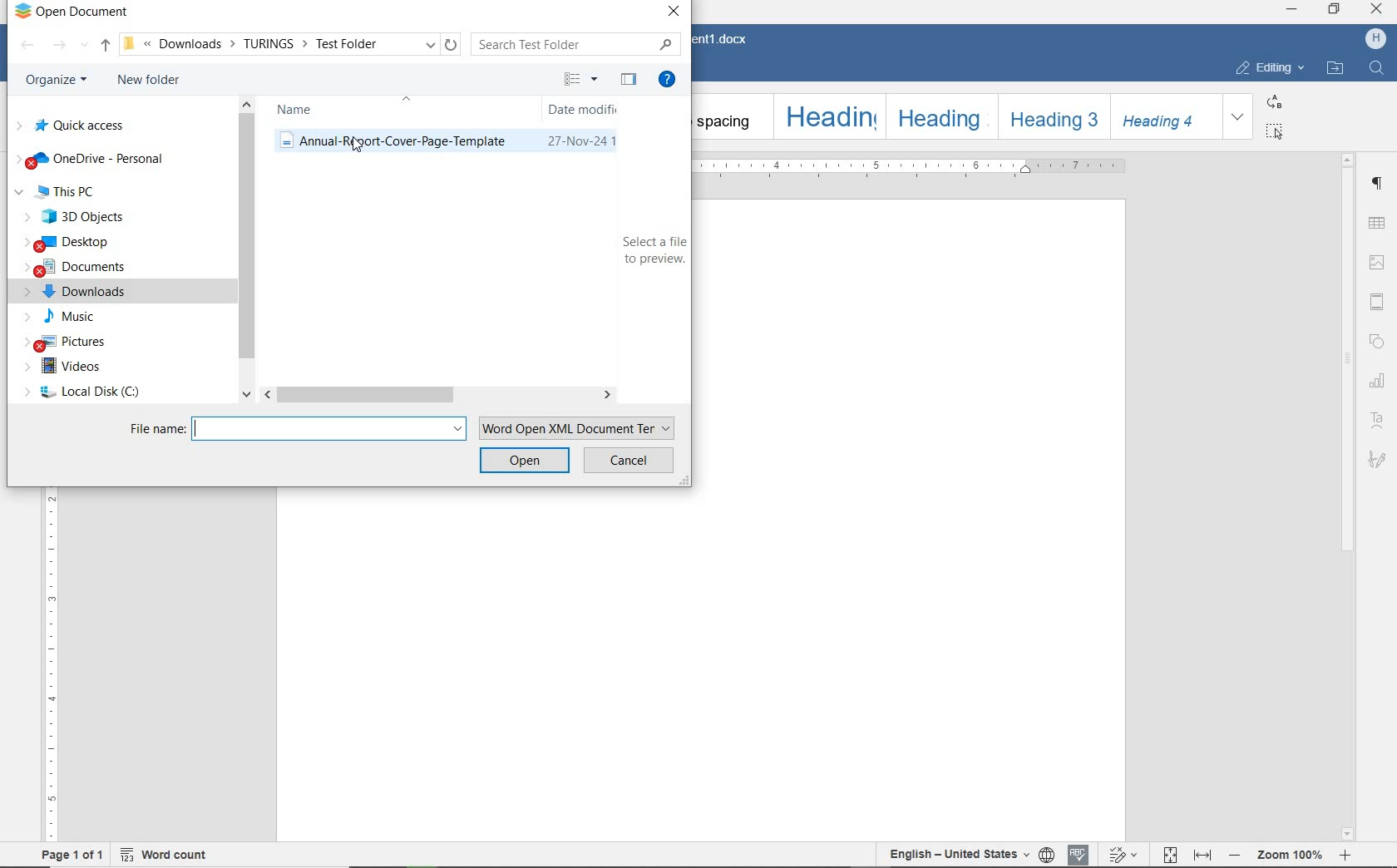 This screenshot has width=1397, height=868. I want to click on HP, so click(1373, 40).